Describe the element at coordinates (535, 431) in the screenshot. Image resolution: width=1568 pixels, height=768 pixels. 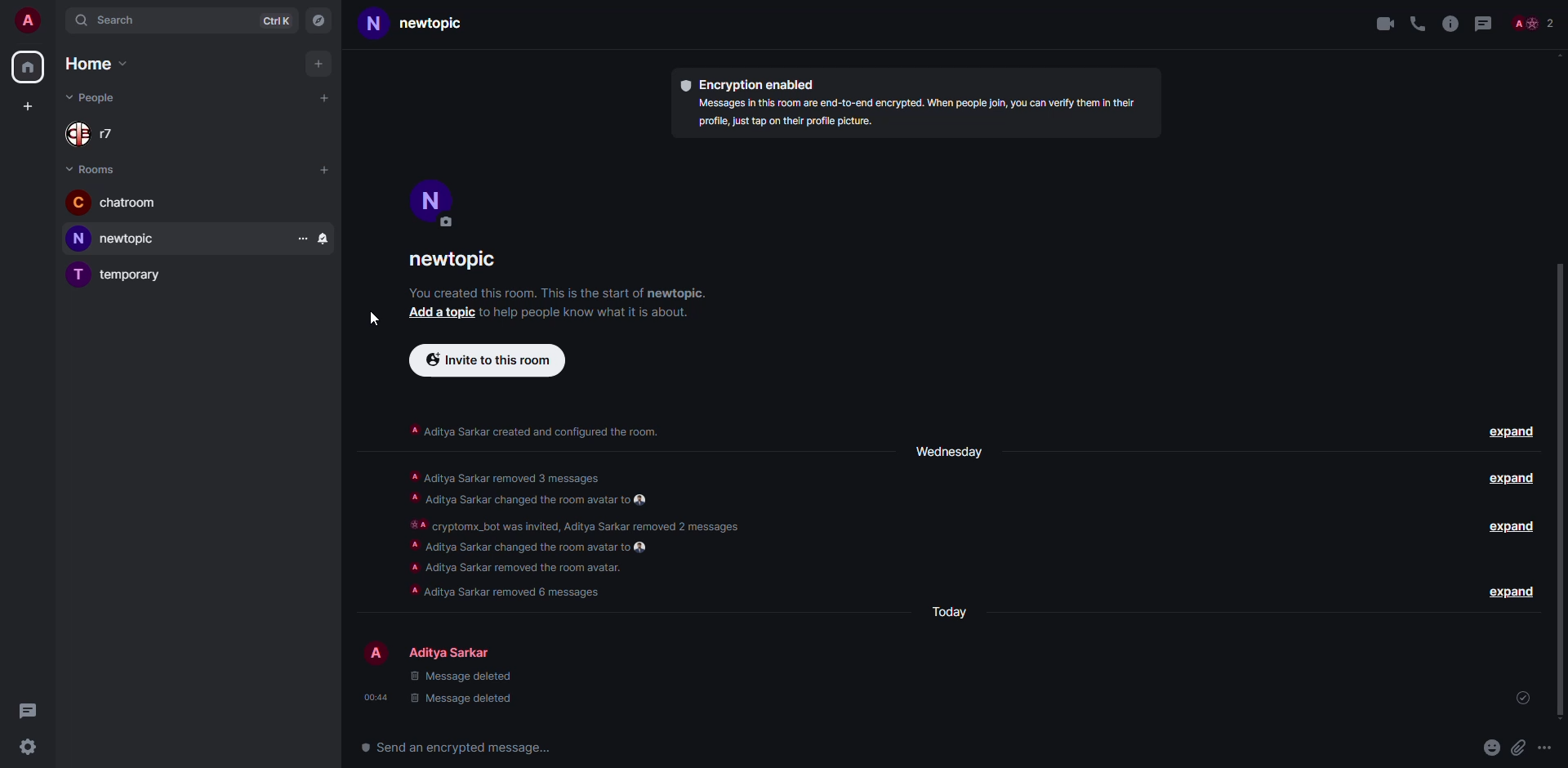
I see `info` at that location.